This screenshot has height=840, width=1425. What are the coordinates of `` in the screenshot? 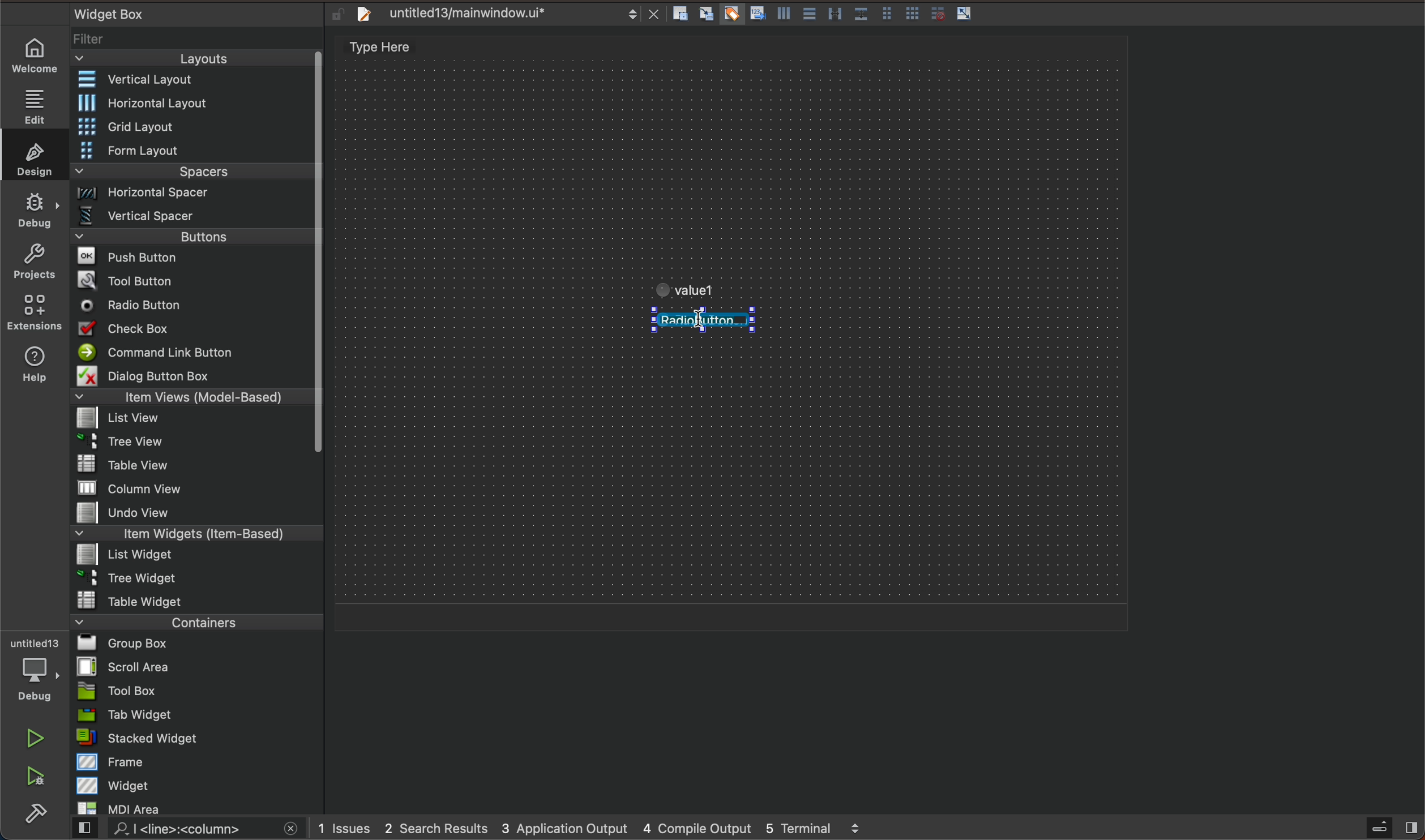 It's located at (195, 196).